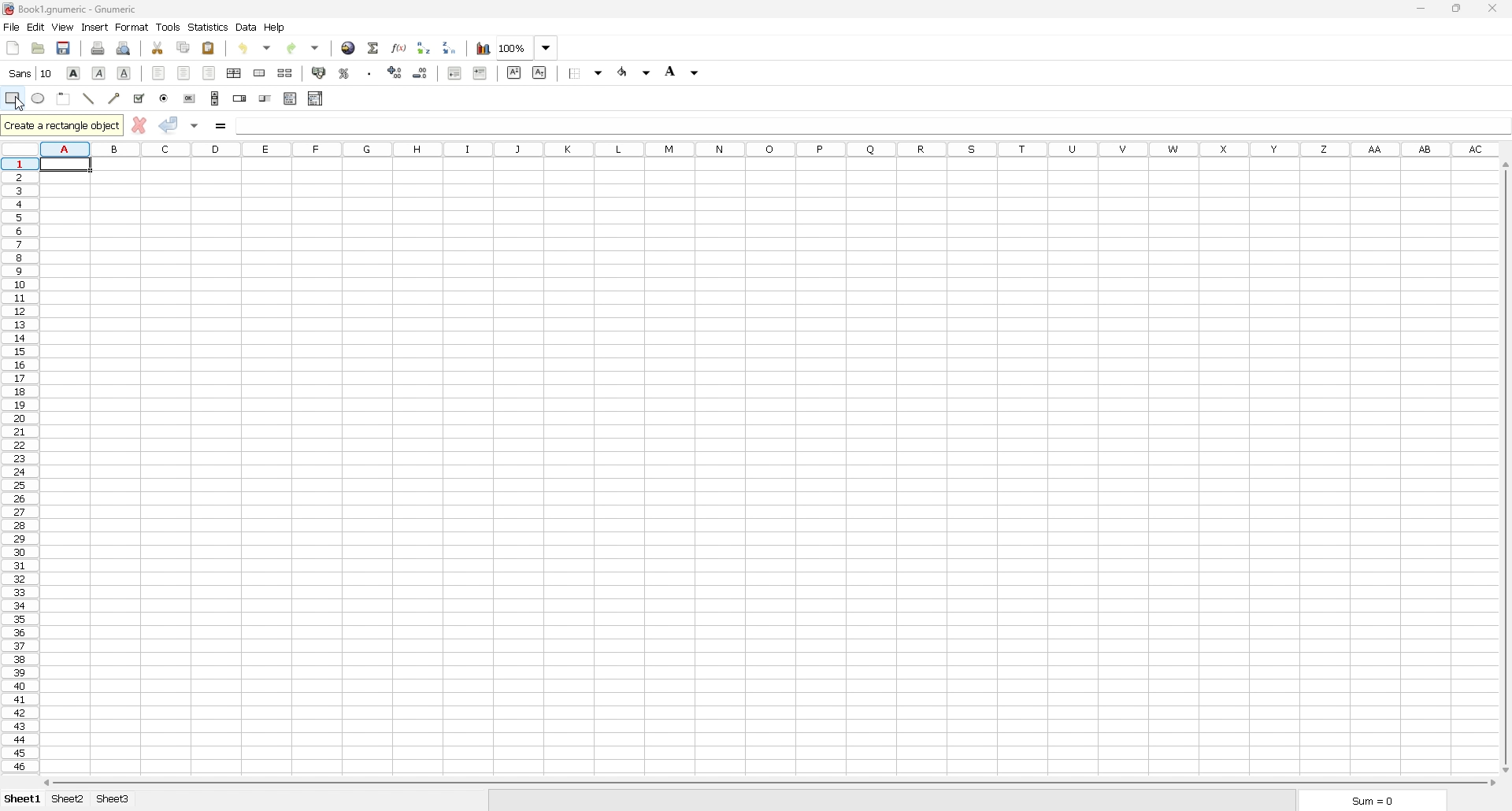 The width and height of the screenshot is (1512, 811). I want to click on format, so click(133, 26).